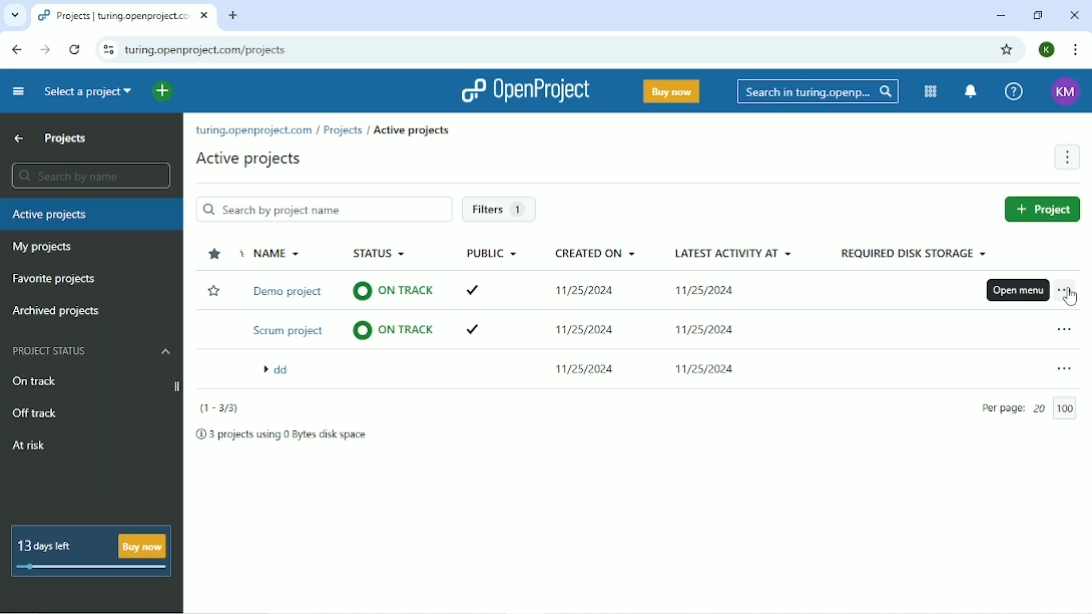 This screenshot has height=614, width=1092. Describe the element at coordinates (1037, 16) in the screenshot. I see `Restore down` at that location.